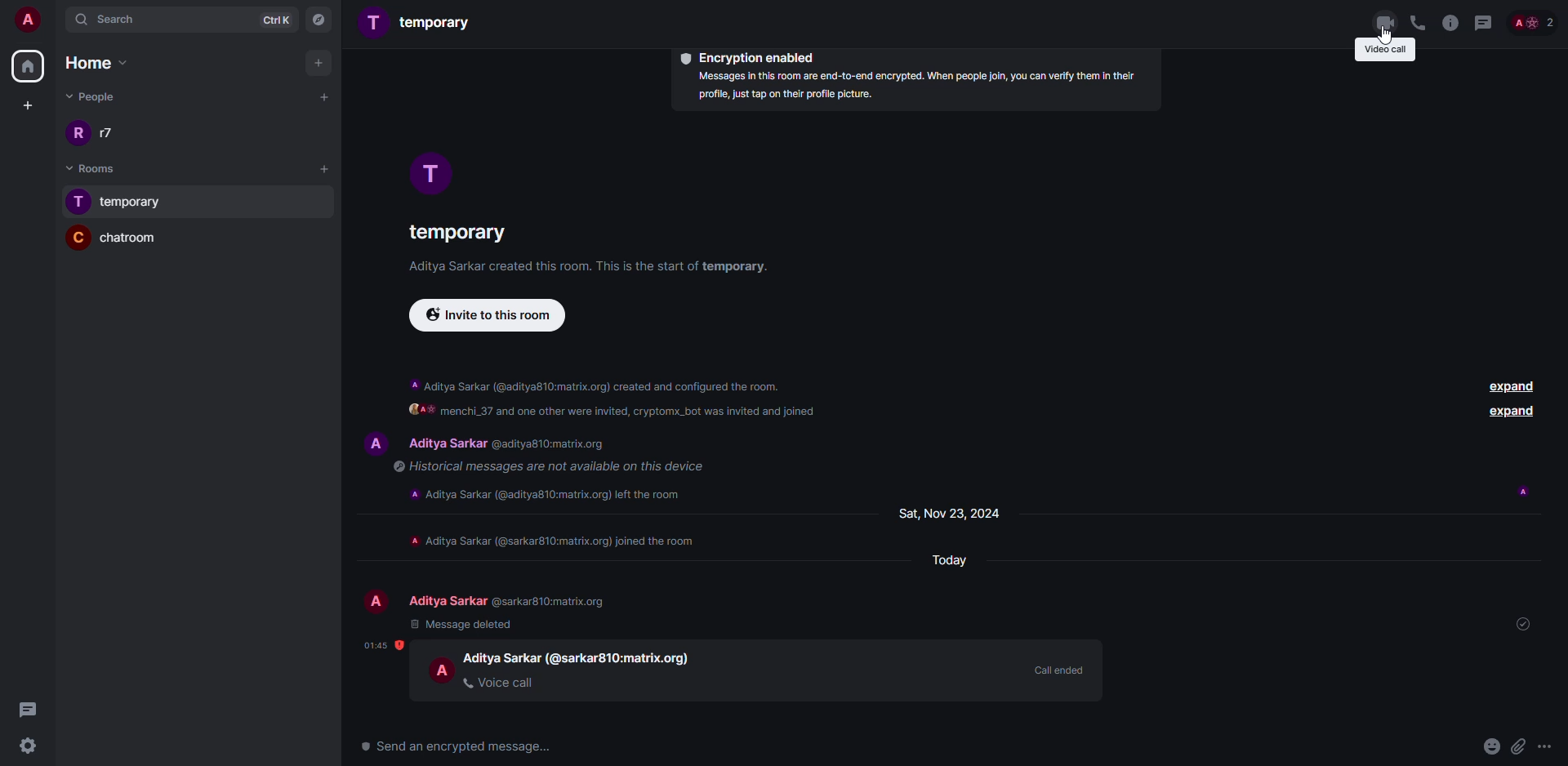 Image resolution: width=1568 pixels, height=766 pixels. I want to click on encryption enabled, so click(745, 57).